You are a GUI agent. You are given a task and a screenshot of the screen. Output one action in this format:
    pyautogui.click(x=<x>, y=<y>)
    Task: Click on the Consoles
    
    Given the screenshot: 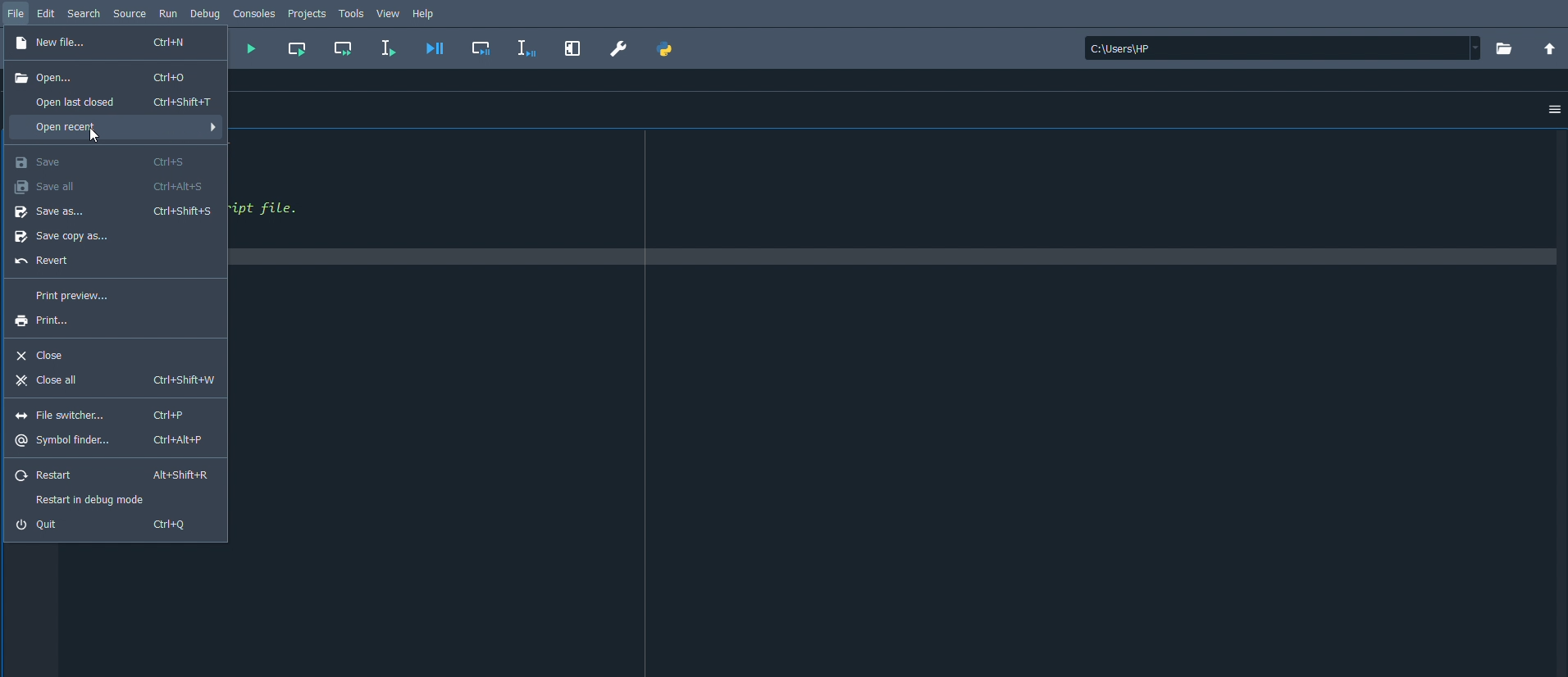 What is the action you would take?
    pyautogui.click(x=254, y=12)
    